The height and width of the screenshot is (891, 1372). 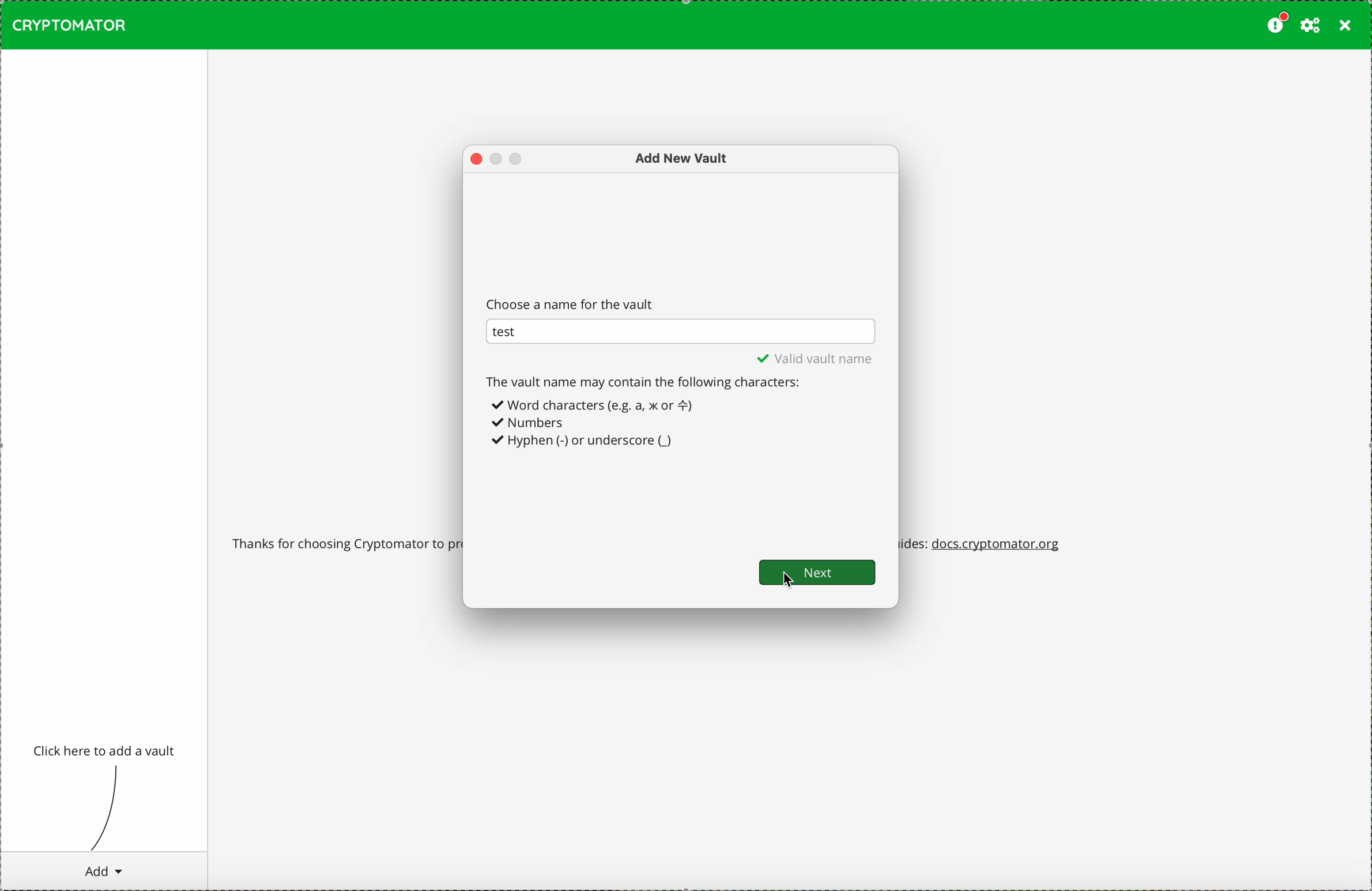 What do you see at coordinates (103, 871) in the screenshot?
I see `cursor on add button` at bounding box center [103, 871].